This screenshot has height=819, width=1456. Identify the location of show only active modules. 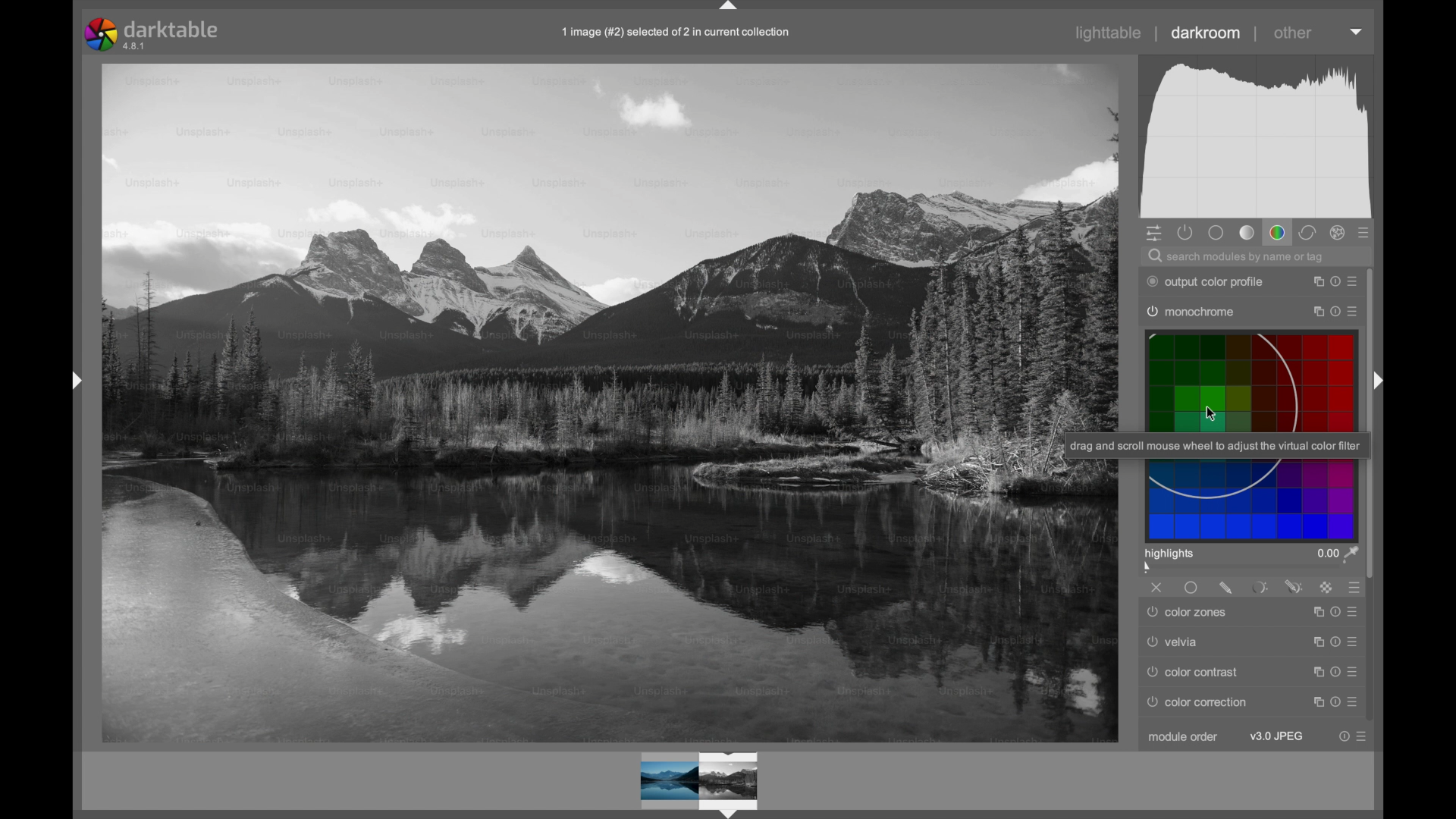
(1187, 234).